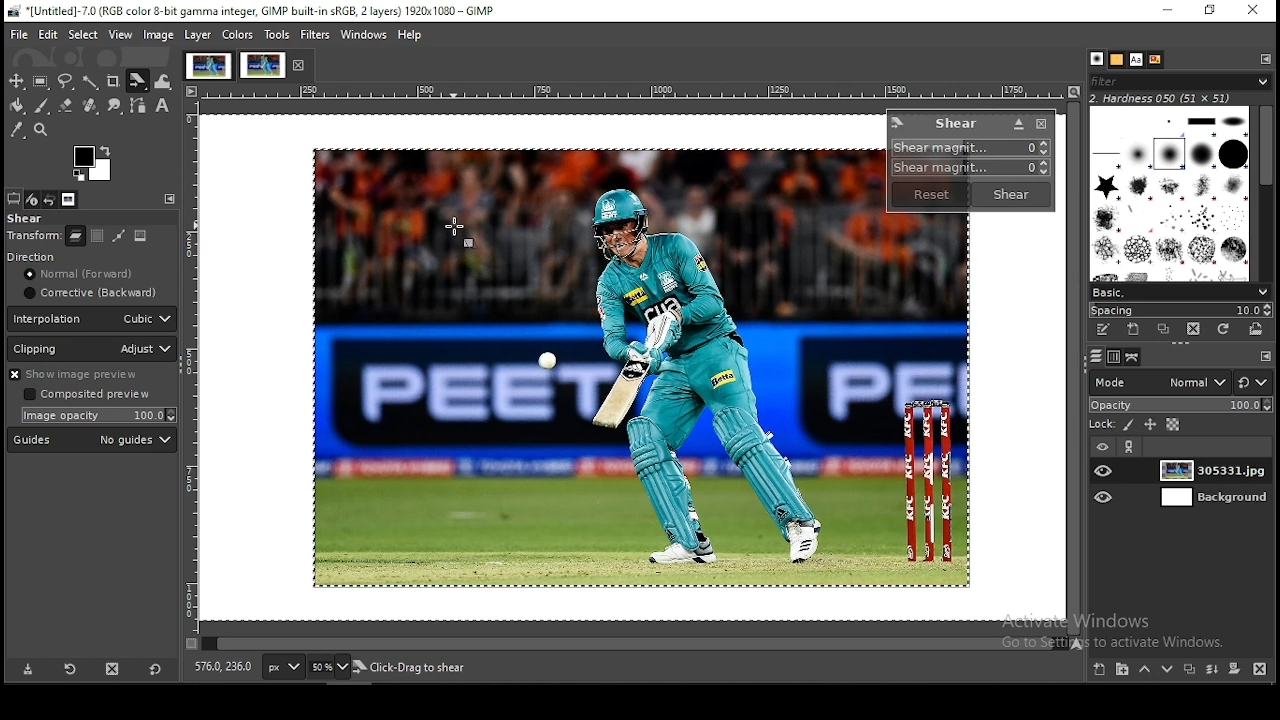 The width and height of the screenshot is (1280, 720). I want to click on color picker tool, so click(19, 130).